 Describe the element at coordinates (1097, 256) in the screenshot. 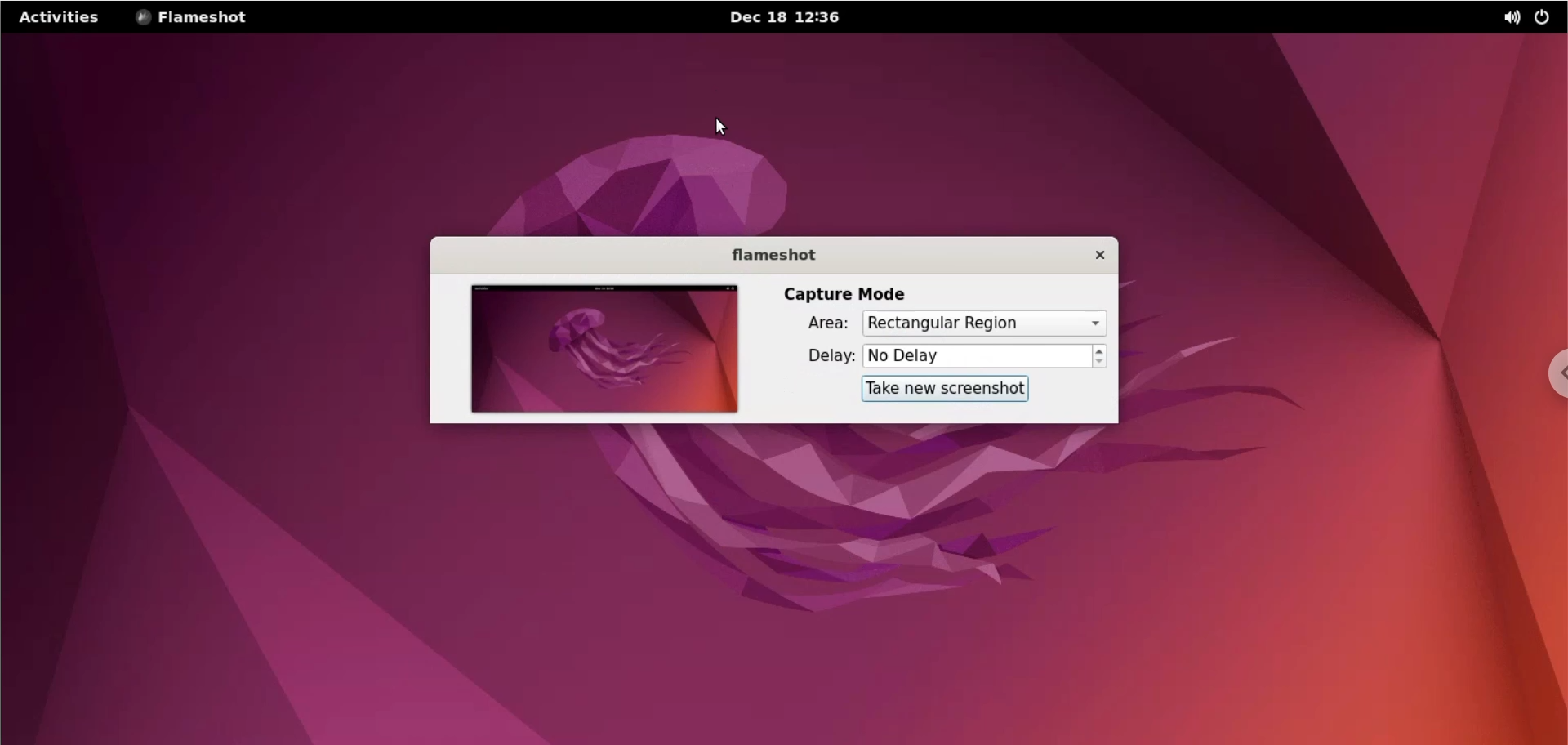

I see `close` at that location.